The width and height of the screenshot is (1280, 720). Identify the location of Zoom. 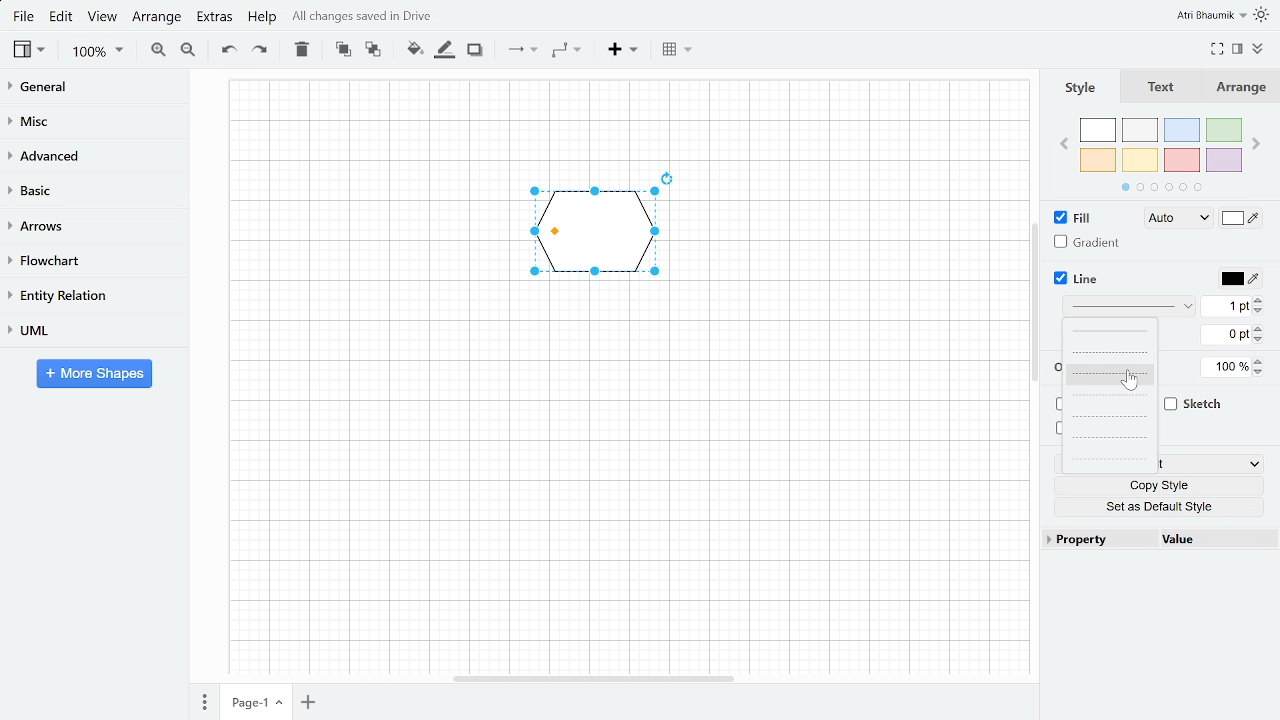
(96, 53).